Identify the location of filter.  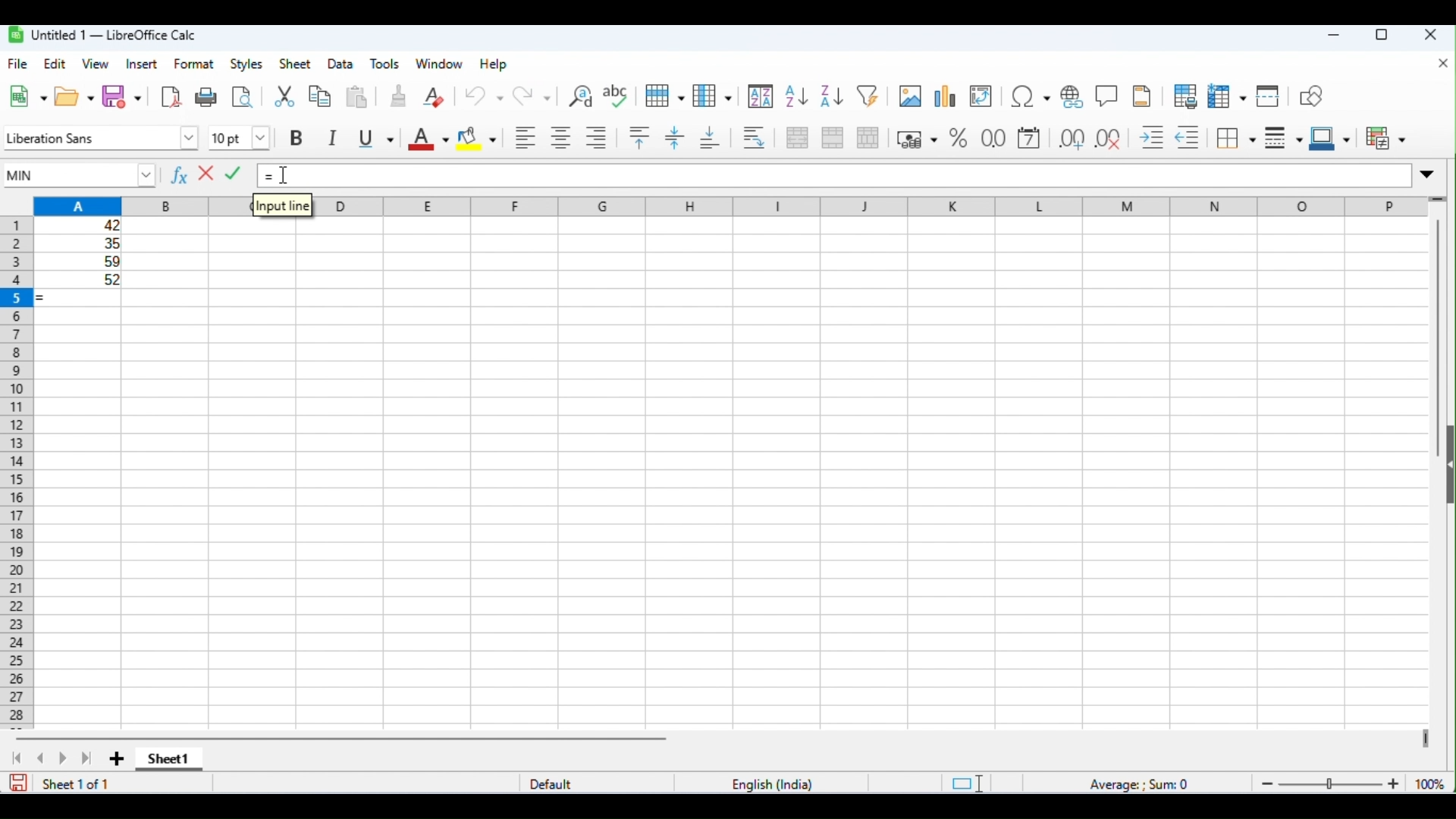
(868, 95).